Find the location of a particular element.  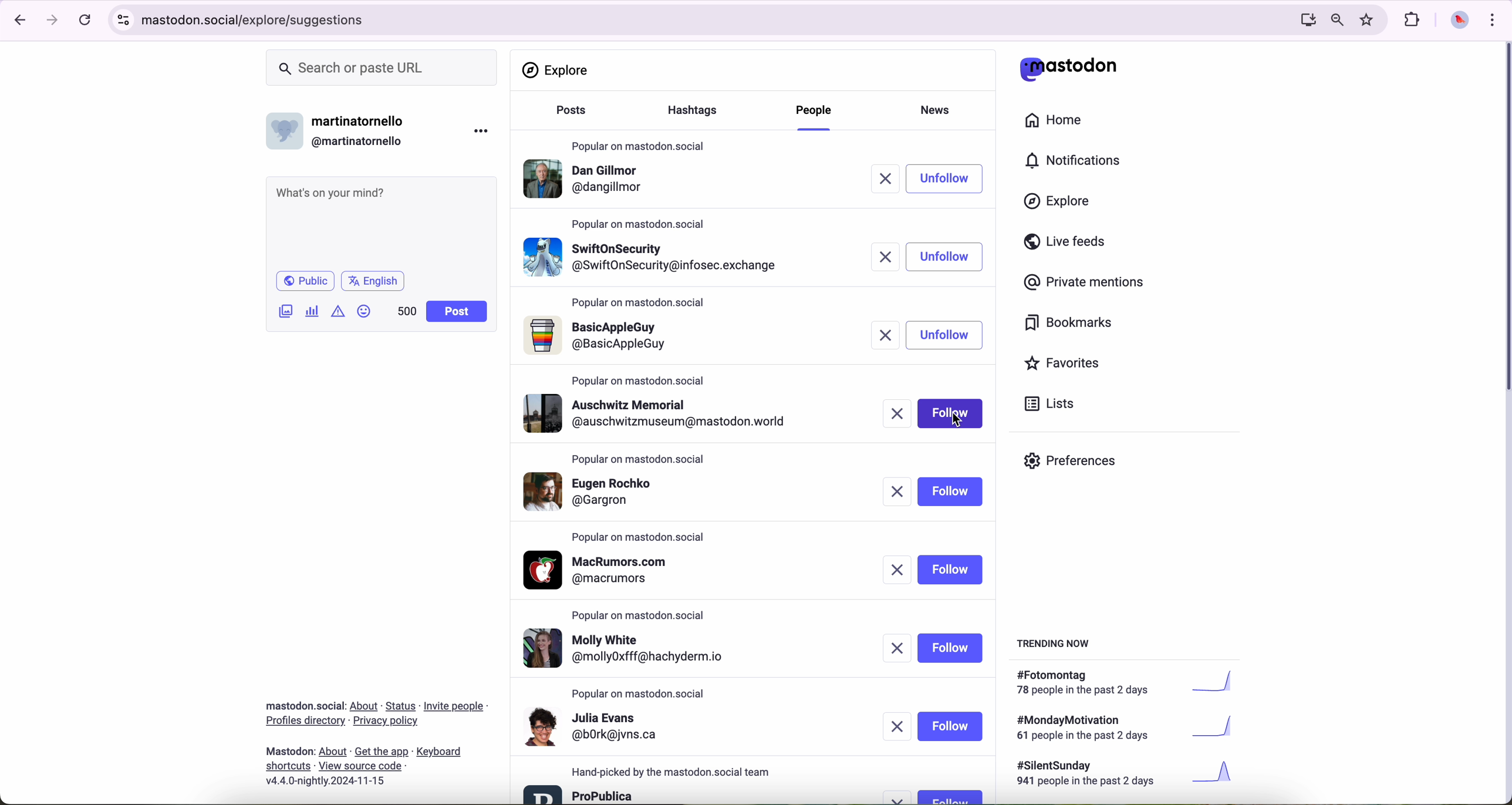

search or paste URL is located at coordinates (382, 68).